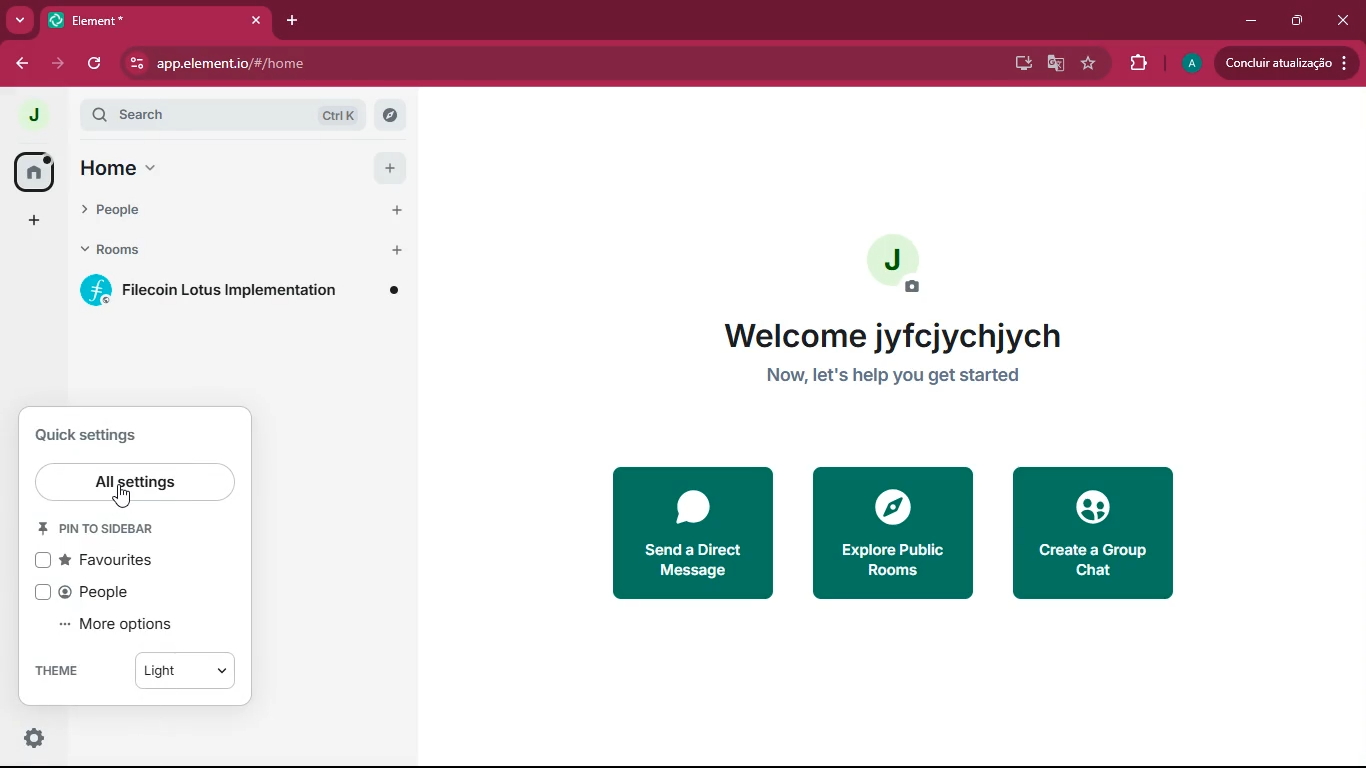 This screenshot has height=768, width=1366. What do you see at coordinates (114, 170) in the screenshot?
I see `home` at bounding box center [114, 170].